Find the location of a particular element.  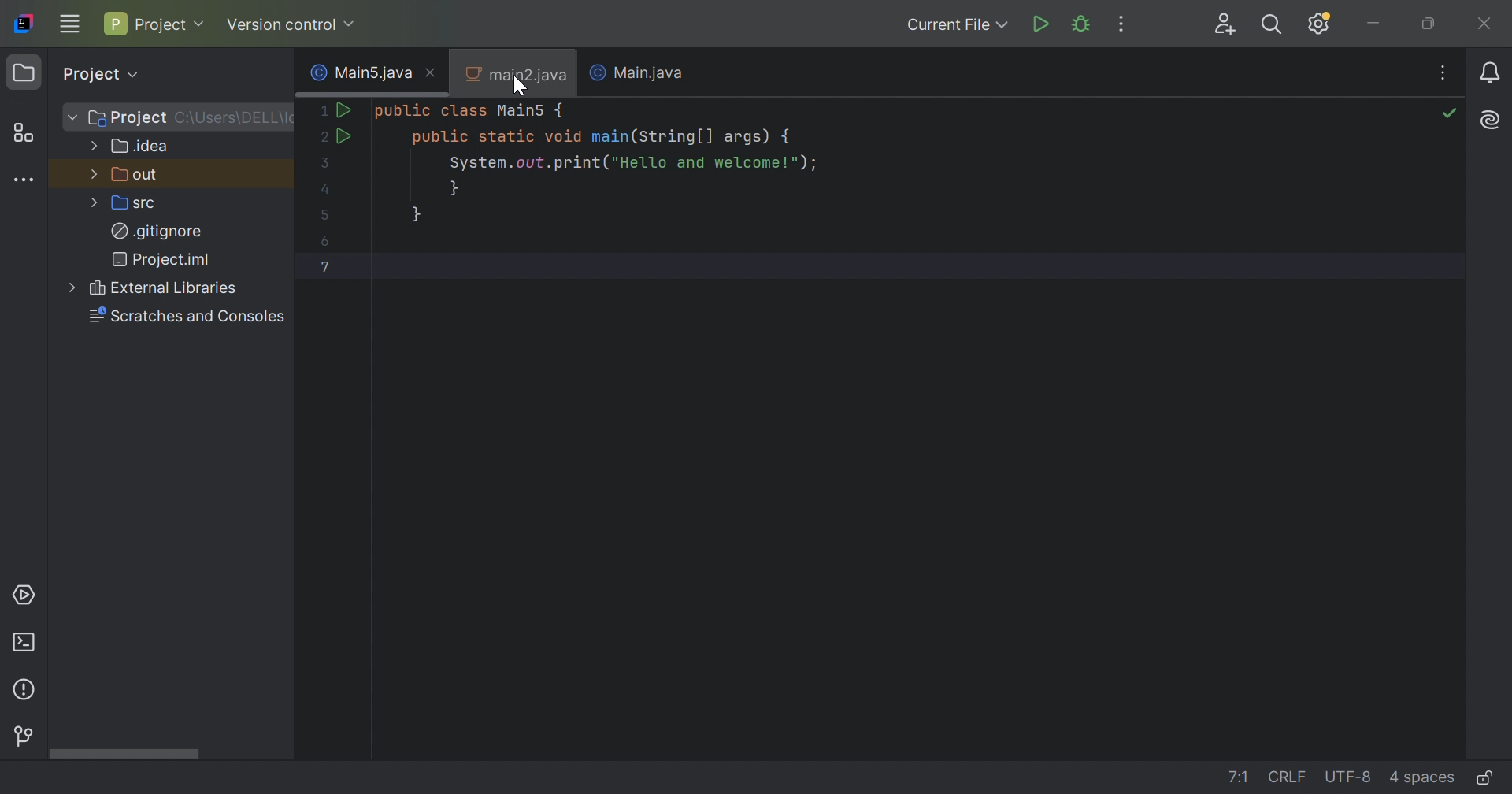

Project is located at coordinates (98, 74).